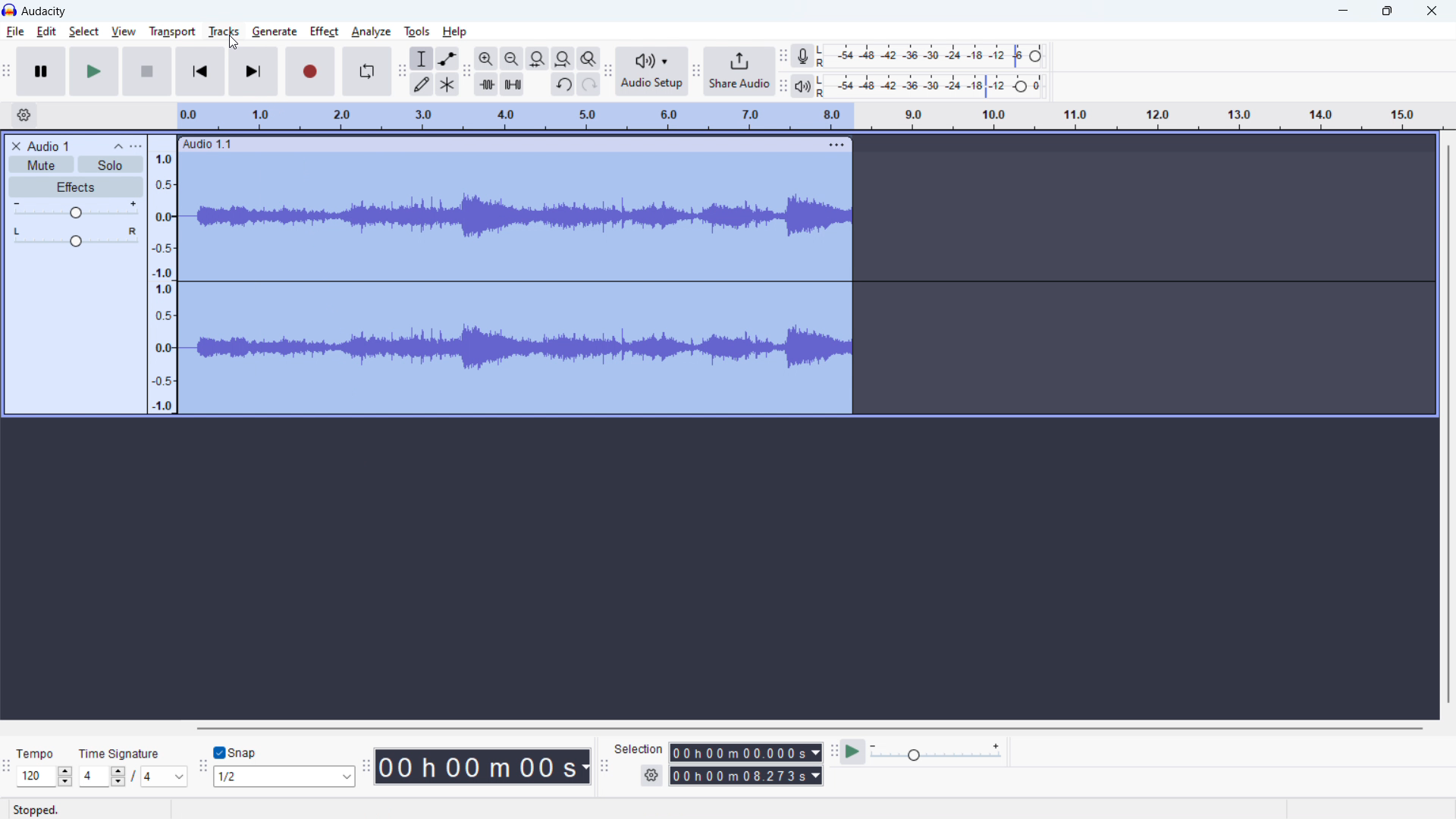  What do you see at coordinates (808, 727) in the screenshot?
I see `horizontal scrollbar` at bounding box center [808, 727].